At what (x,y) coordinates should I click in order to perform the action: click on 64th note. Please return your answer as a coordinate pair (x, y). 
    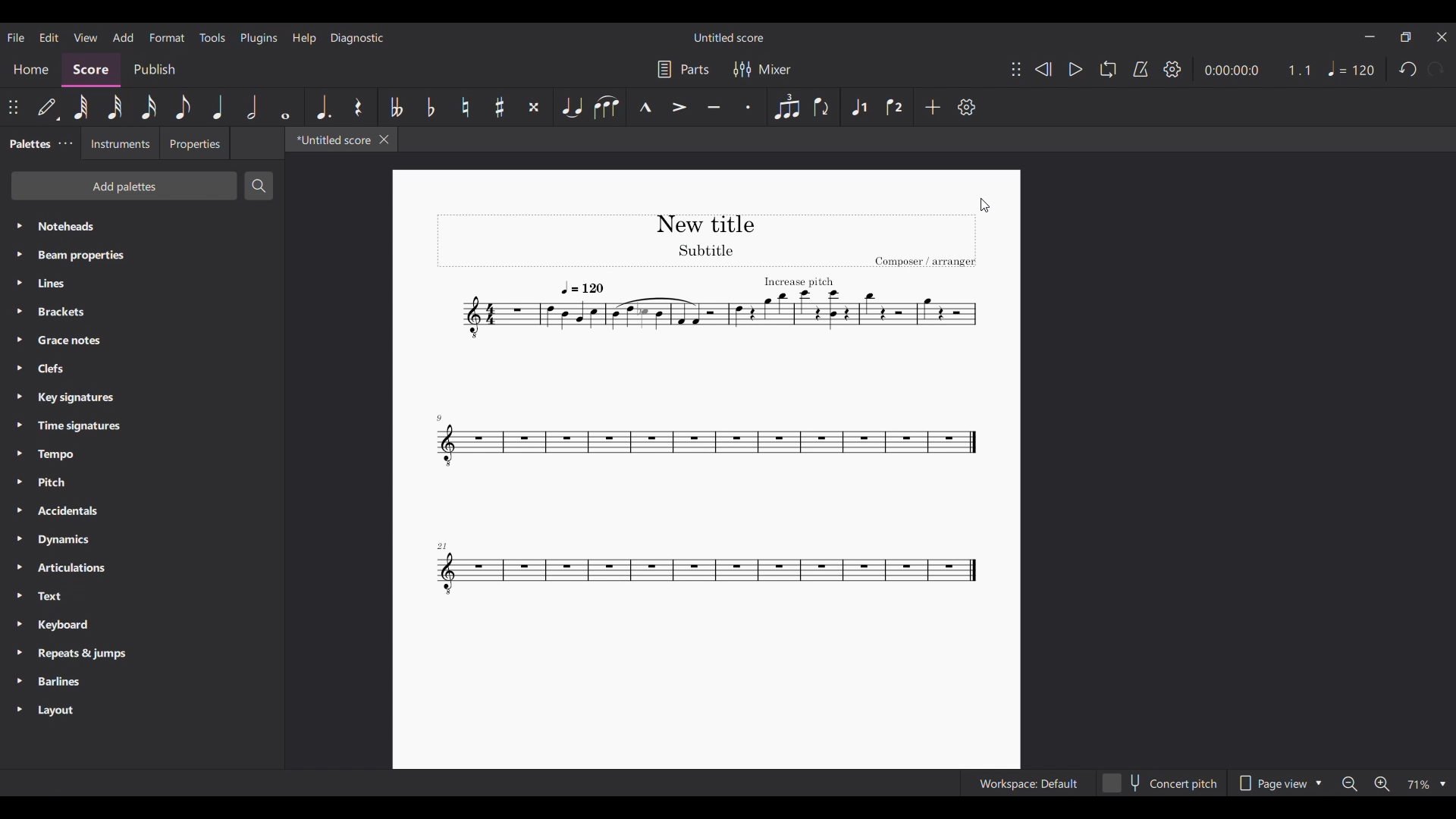
    Looking at the image, I should click on (80, 107).